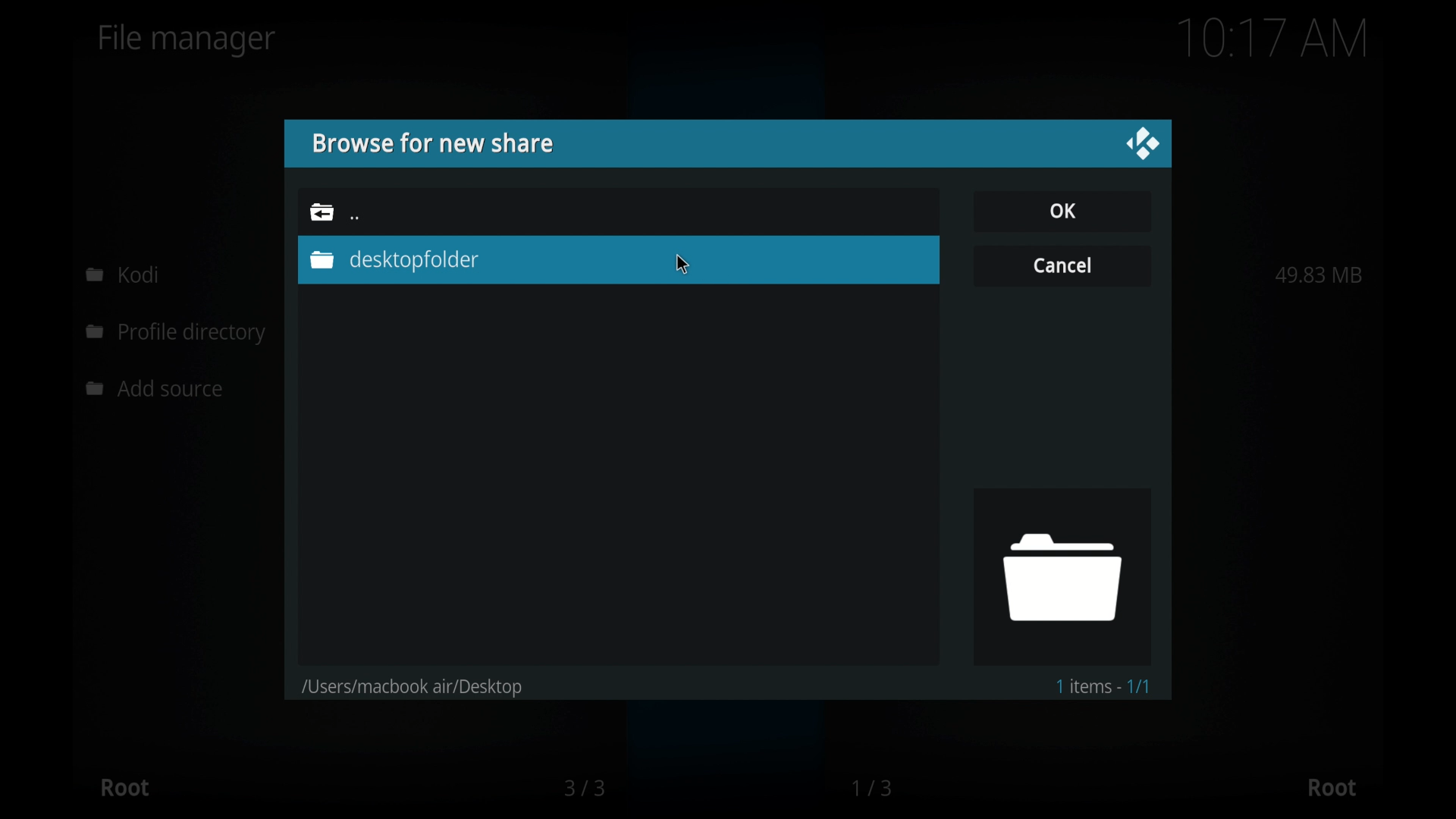 The width and height of the screenshot is (1456, 819). Describe the element at coordinates (392, 260) in the screenshot. I see `desktop folder` at that location.